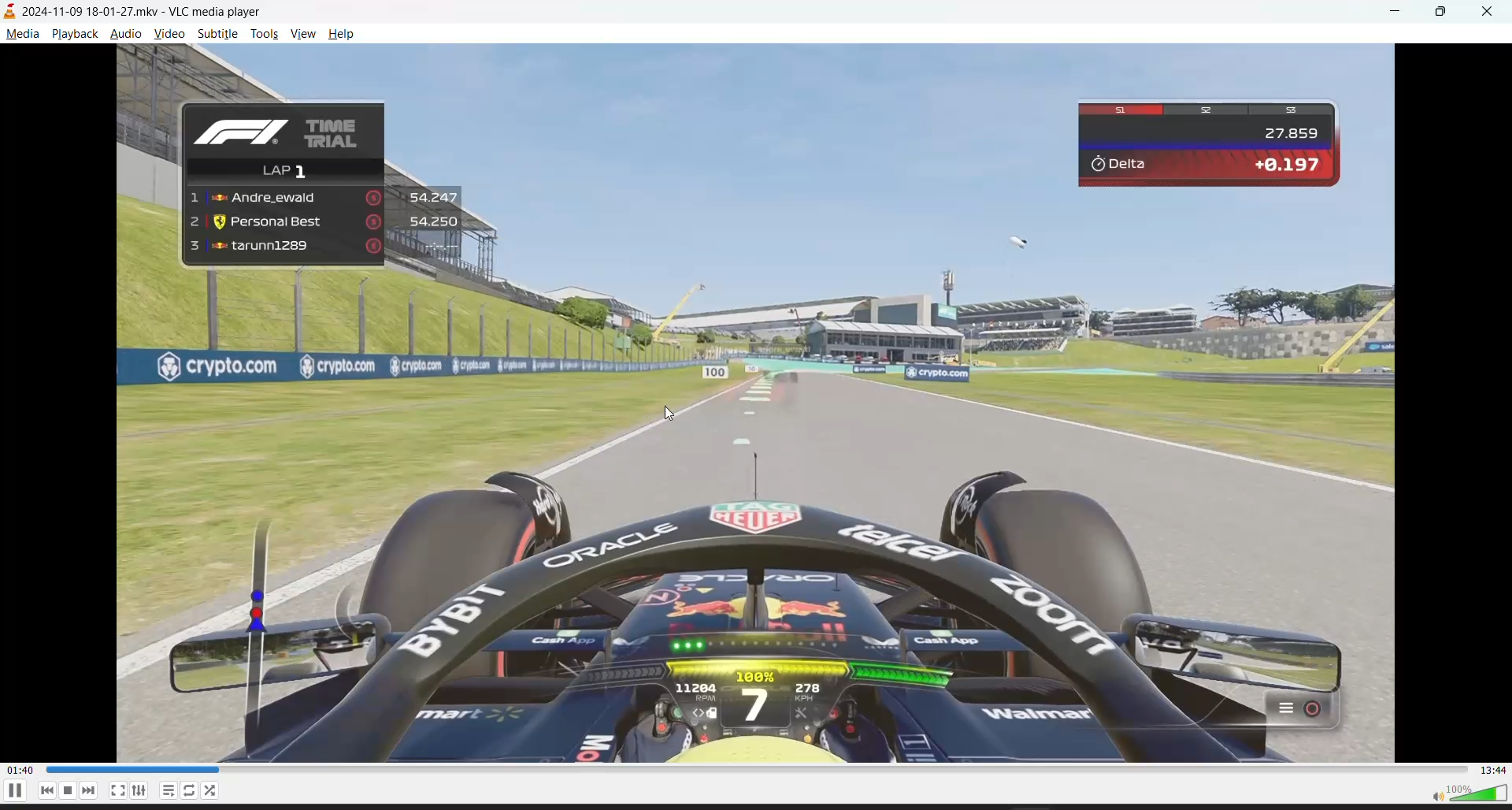 This screenshot has height=810, width=1512. What do you see at coordinates (128, 32) in the screenshot?
I see `audio` at bounding box center [128, 32].